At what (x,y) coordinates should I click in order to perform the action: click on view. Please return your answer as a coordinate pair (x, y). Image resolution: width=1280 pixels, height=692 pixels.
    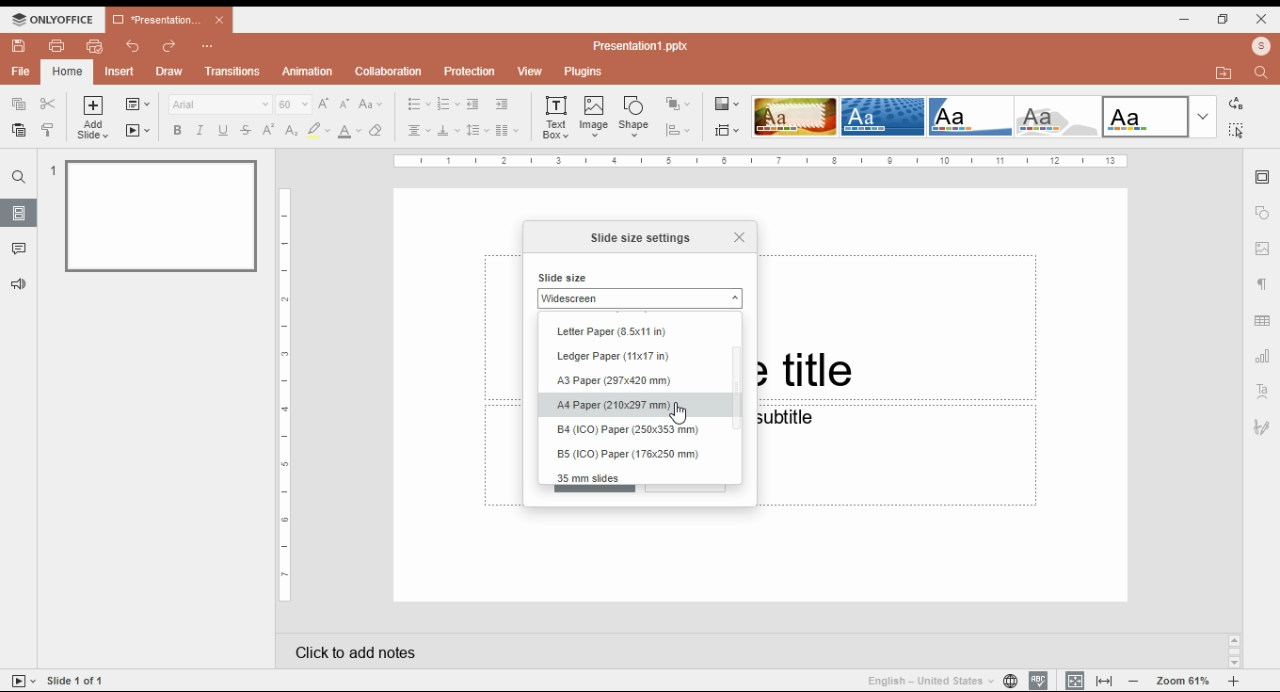
    Looking at the image, I should click on (529, 72).